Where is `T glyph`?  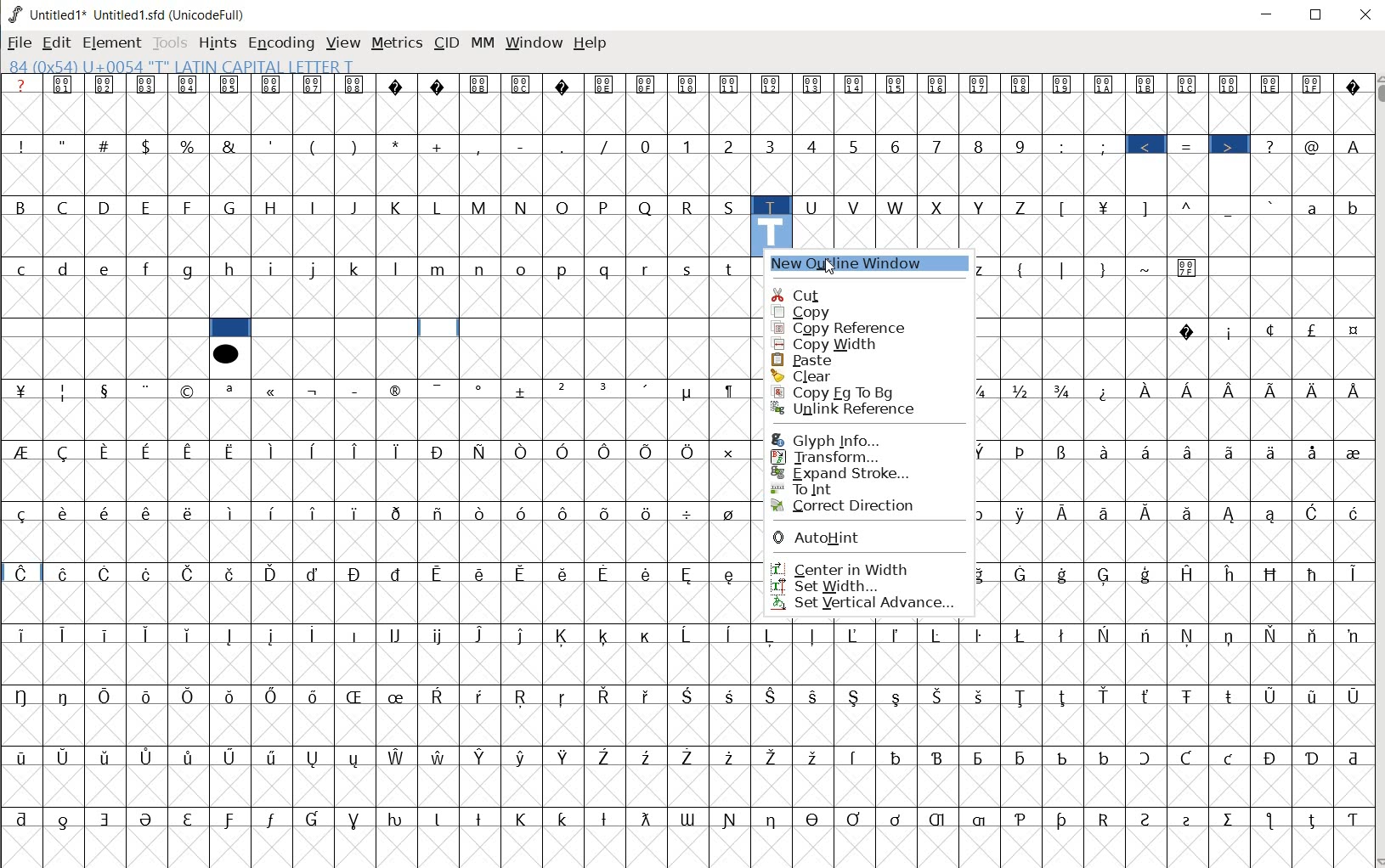 T glyph is located at coordinates (771, 232).